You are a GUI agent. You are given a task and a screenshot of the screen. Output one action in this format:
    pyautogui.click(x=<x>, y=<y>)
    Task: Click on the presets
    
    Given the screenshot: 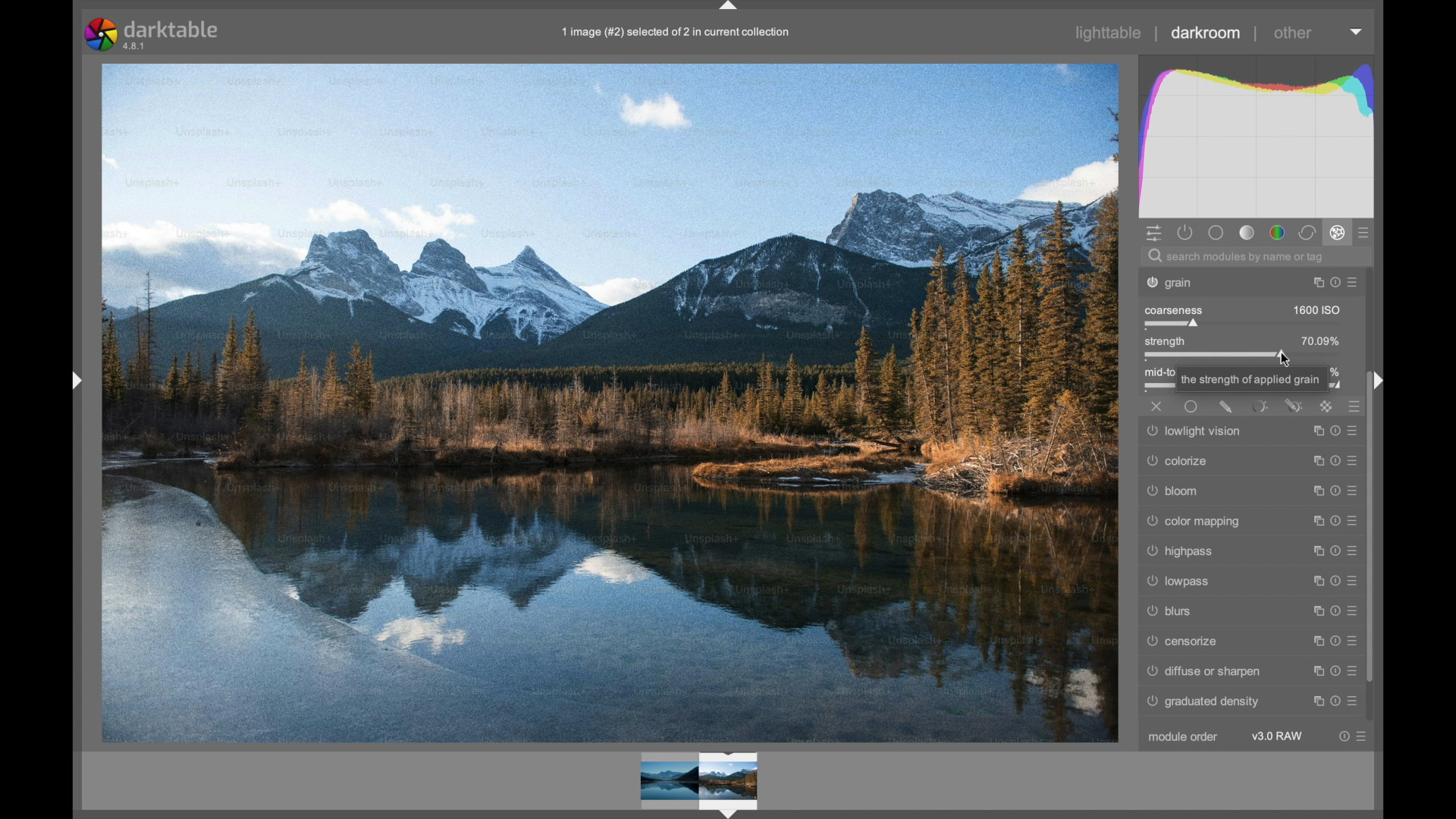 What is the action you would take?
    pyautogui.click(x=1358, y=641)
    